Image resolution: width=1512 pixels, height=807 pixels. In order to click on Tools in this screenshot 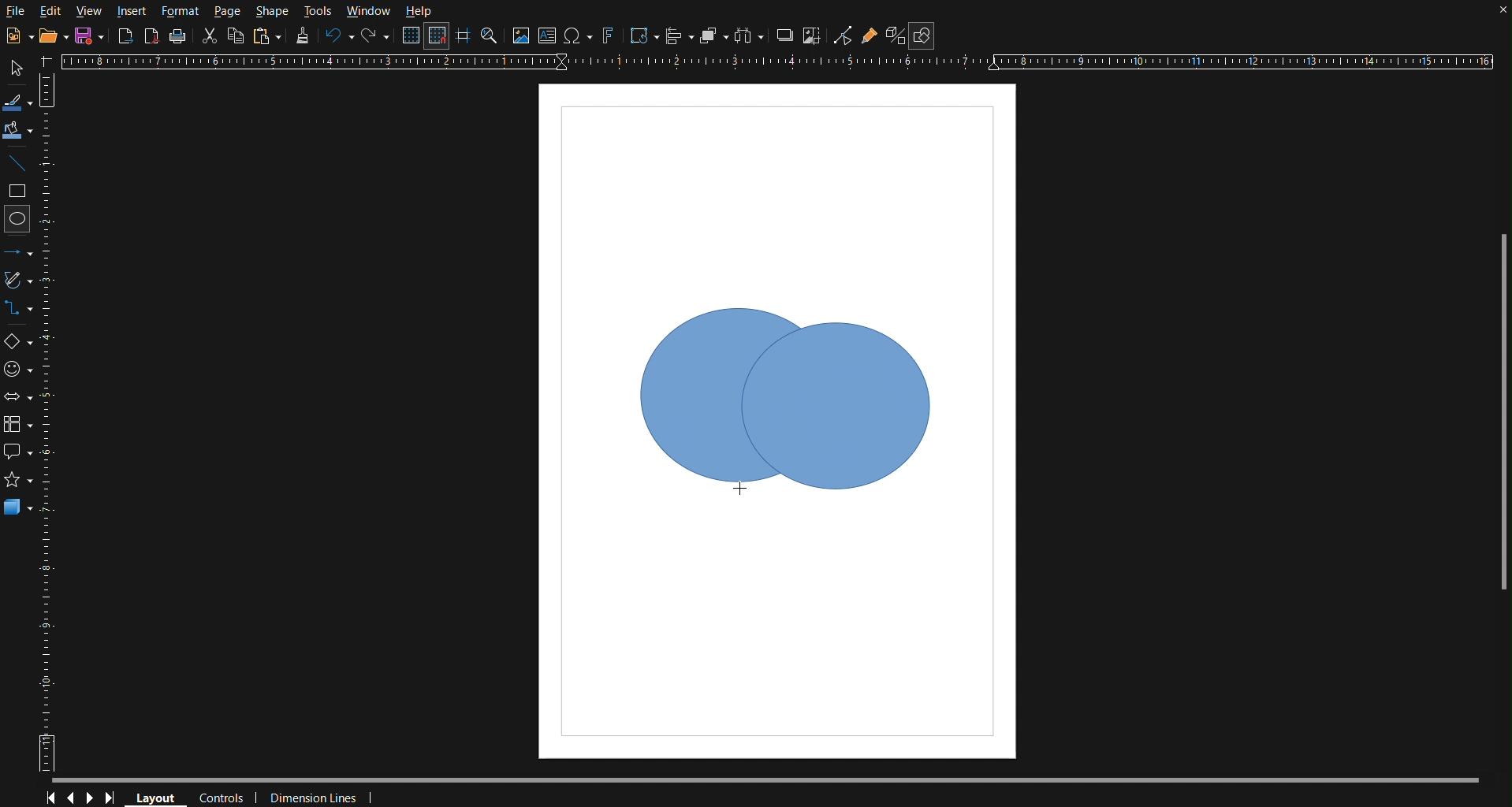, I will do `click(319, 9)`.